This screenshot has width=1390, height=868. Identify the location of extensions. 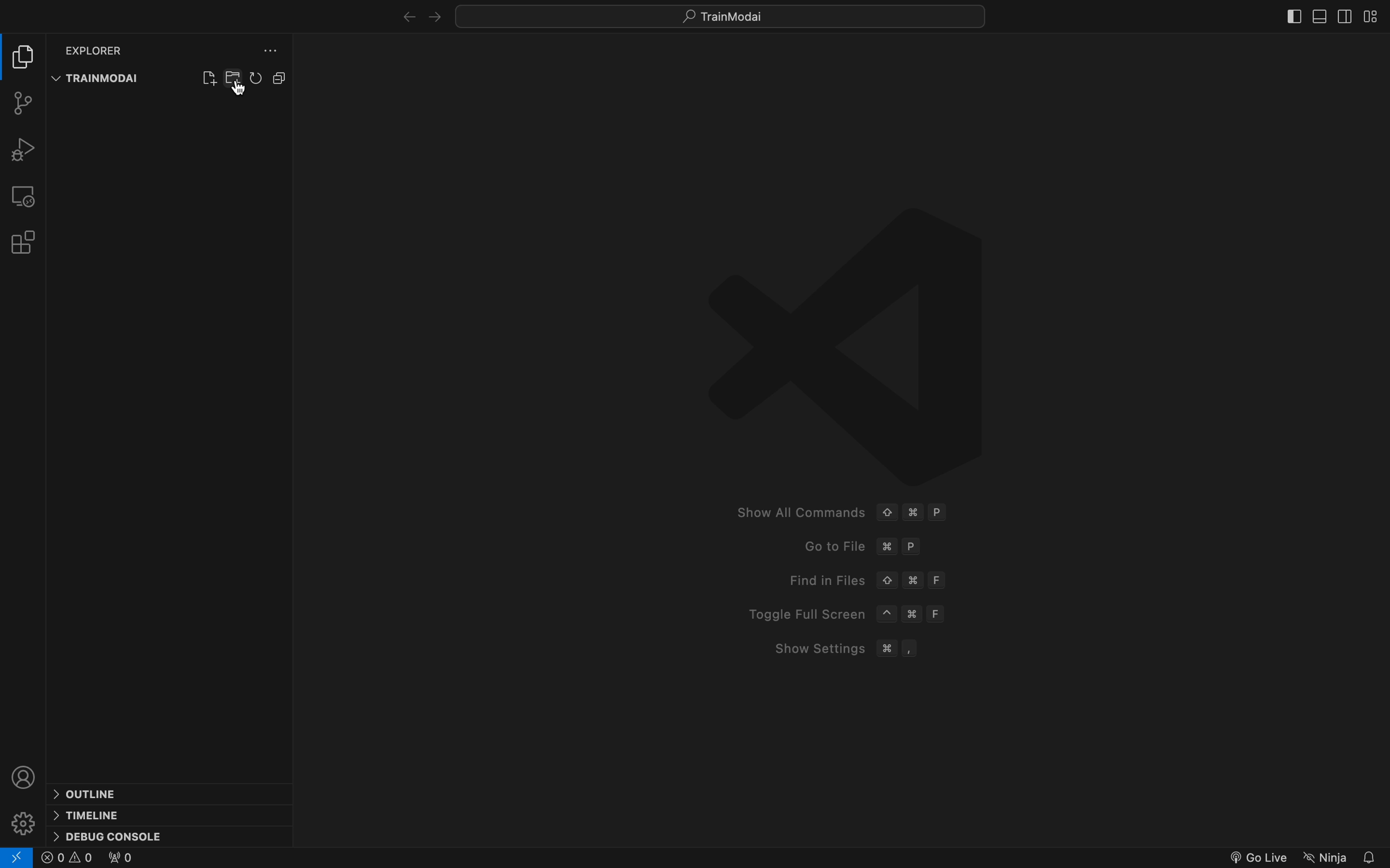
(22, 242).